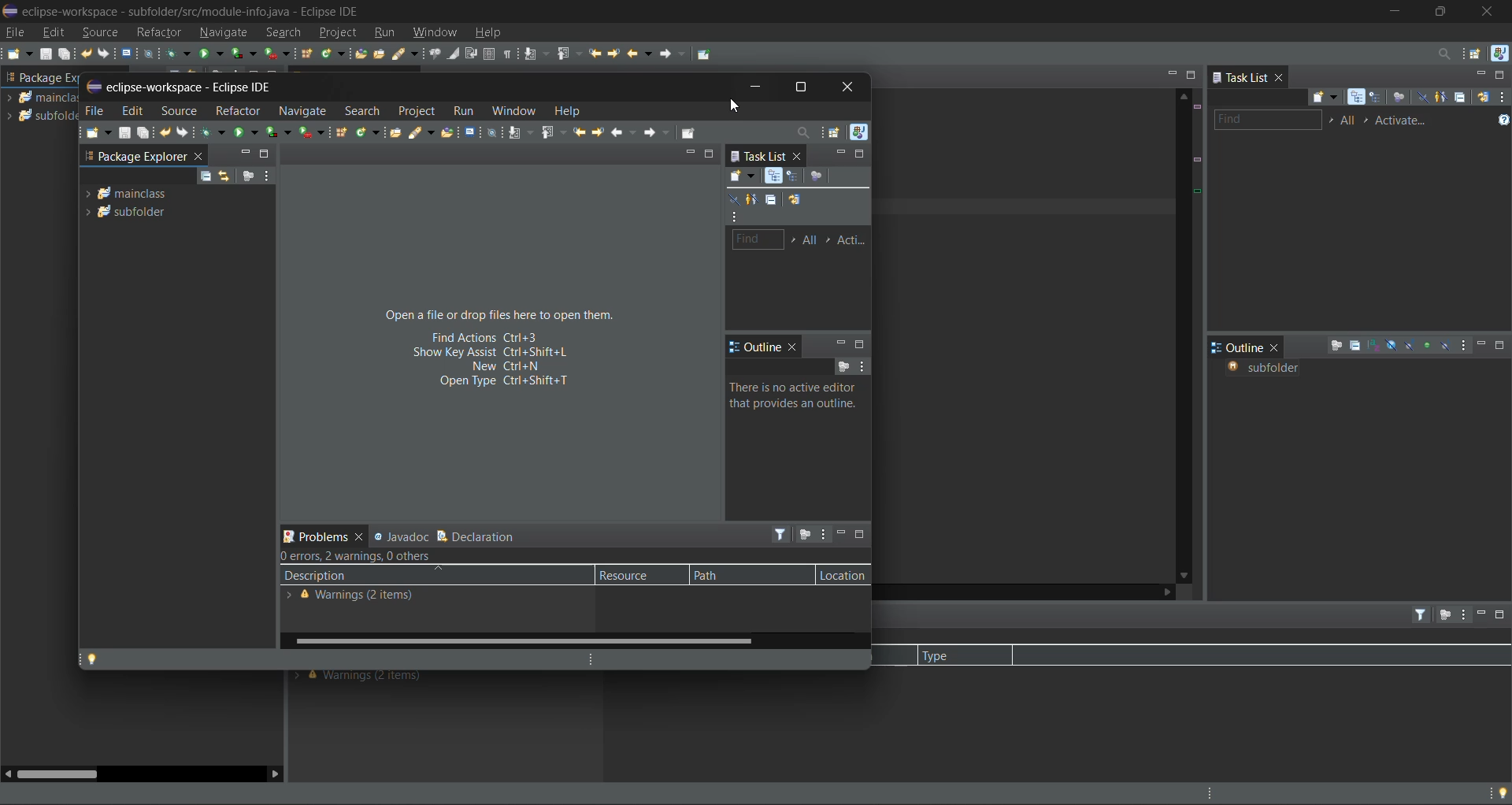 The height and width of the screenshot is (805, 1512). What do you see at coordinates (793, 397) in the screenshot?
I see `information` at bounding box center [793, 397].